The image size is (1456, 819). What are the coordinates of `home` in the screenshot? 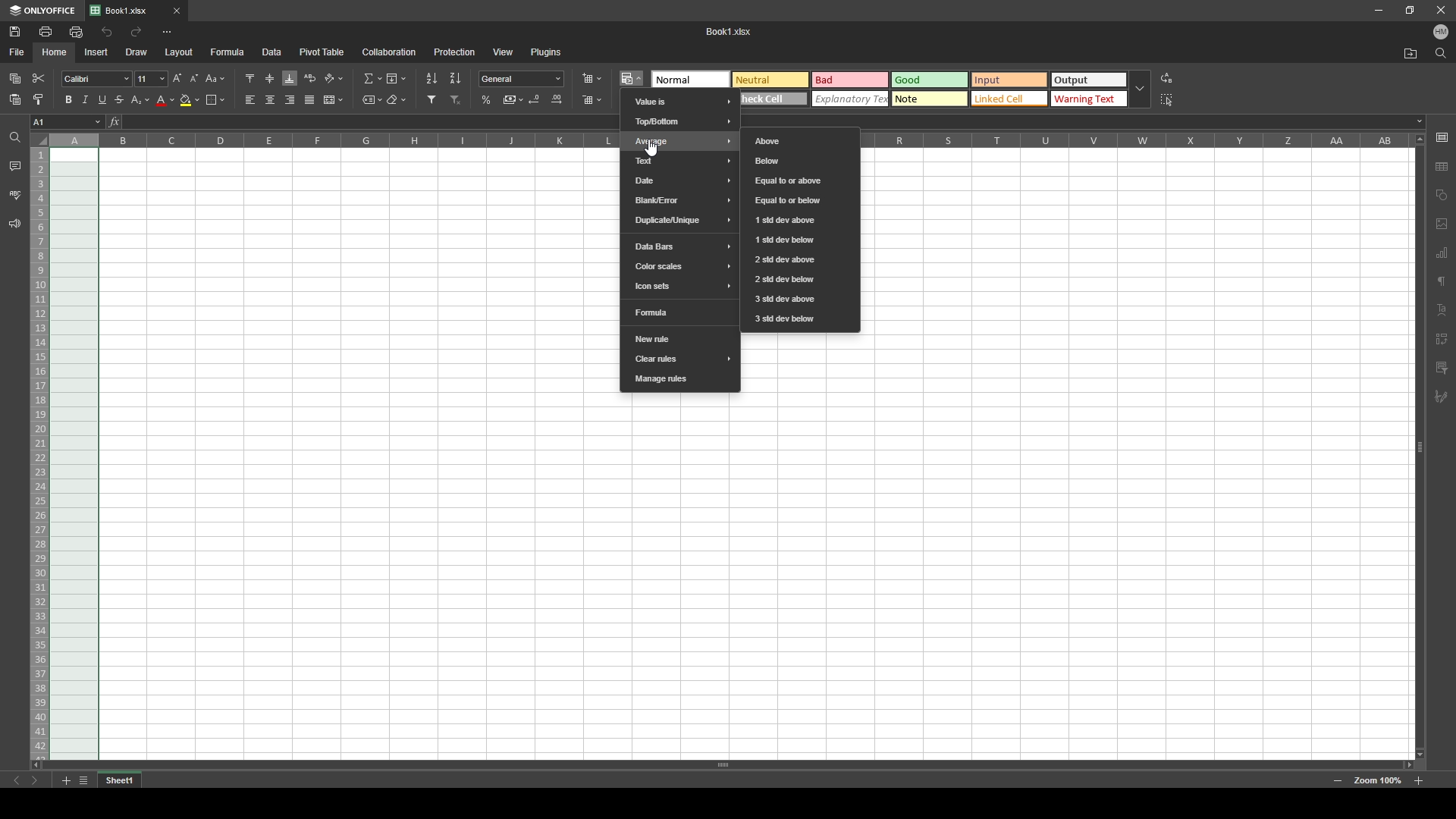 It's located at (55, 52).